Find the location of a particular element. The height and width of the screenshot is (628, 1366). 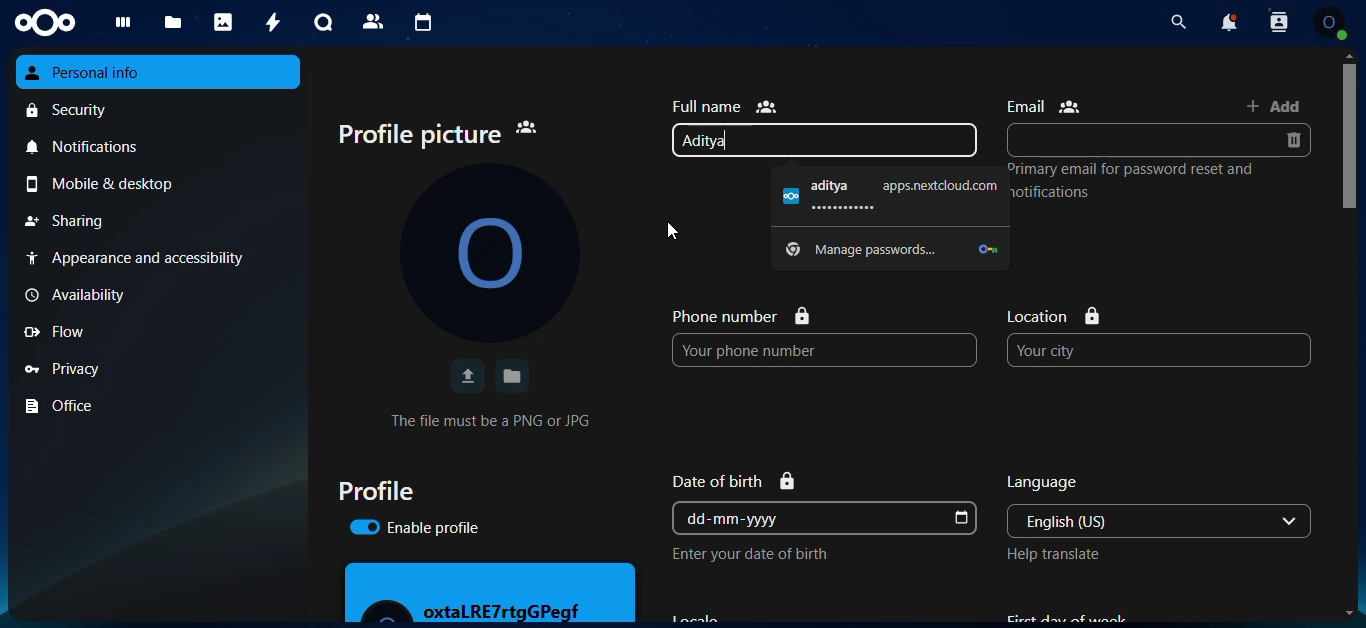

email input box is located at coordinates (1140, 140).